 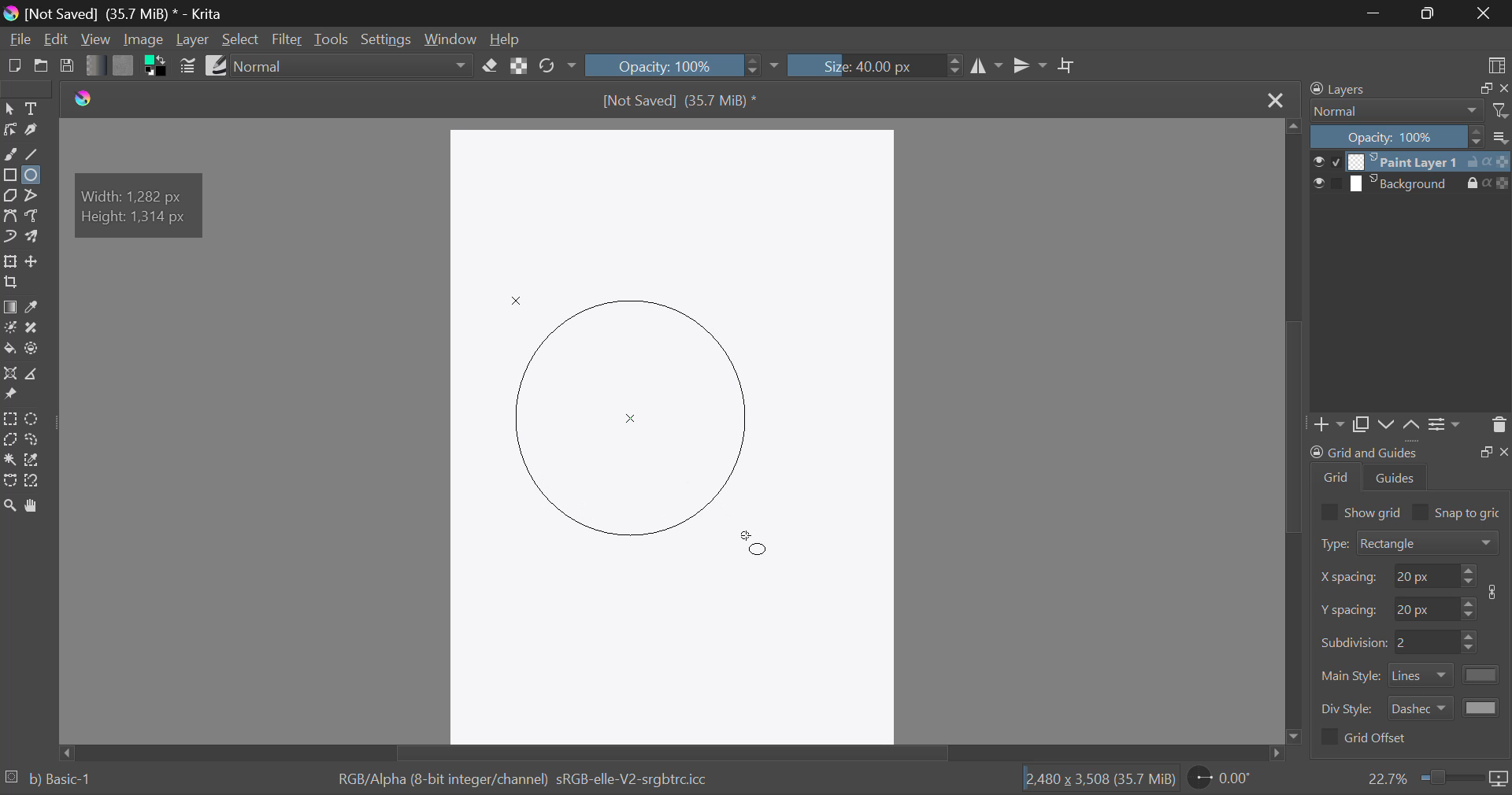 What do you see at coordinates (10, 374) in the screenshot?
I see `Assistant Tool` at bounding box center [10, 374].